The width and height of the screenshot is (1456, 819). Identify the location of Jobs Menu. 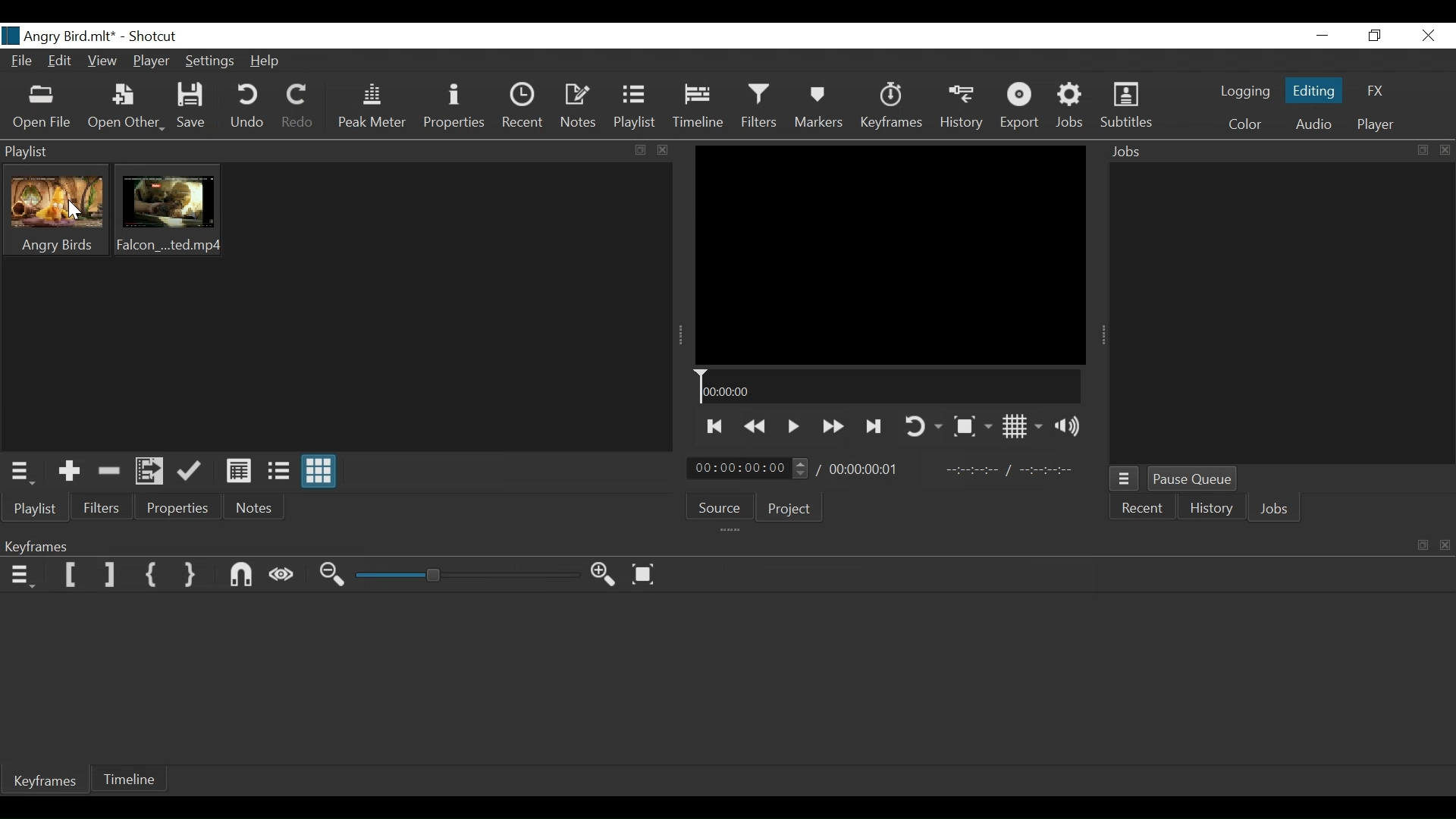
(1125, 481).